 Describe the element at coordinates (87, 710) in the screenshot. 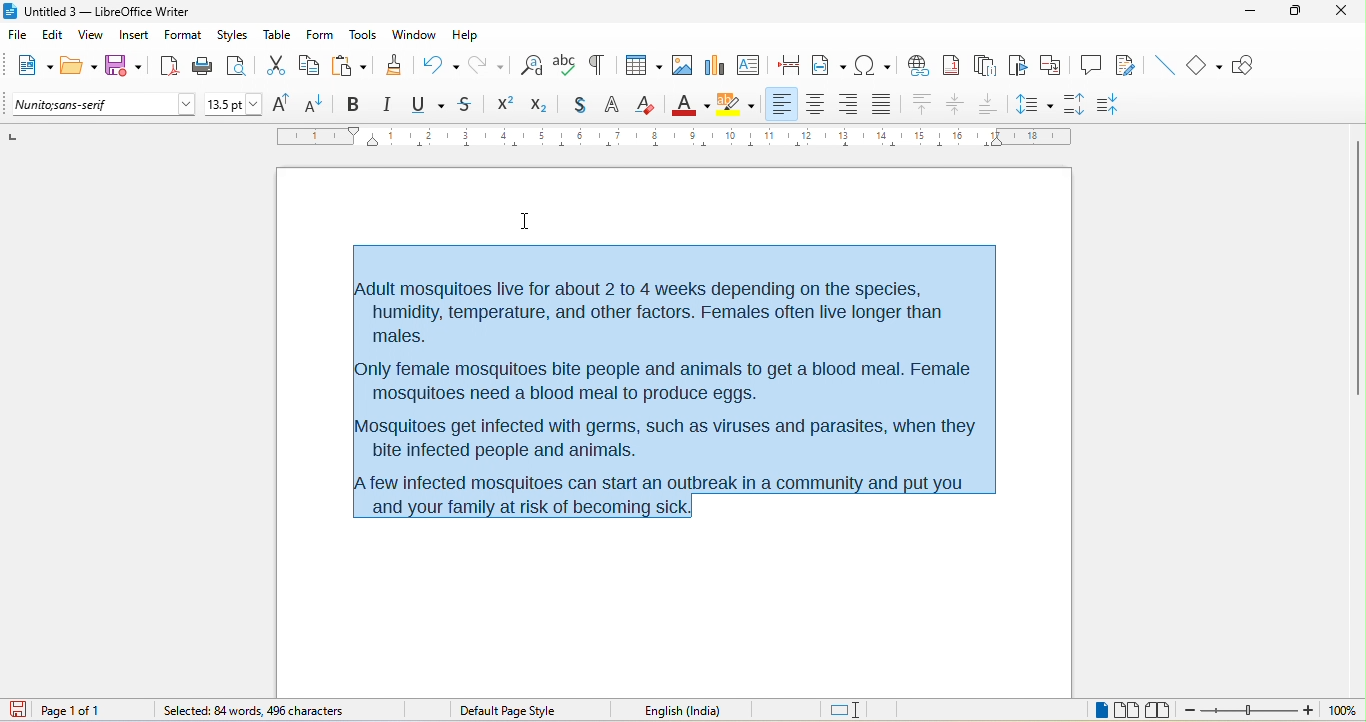

I see `page 1 of 1` at that location.